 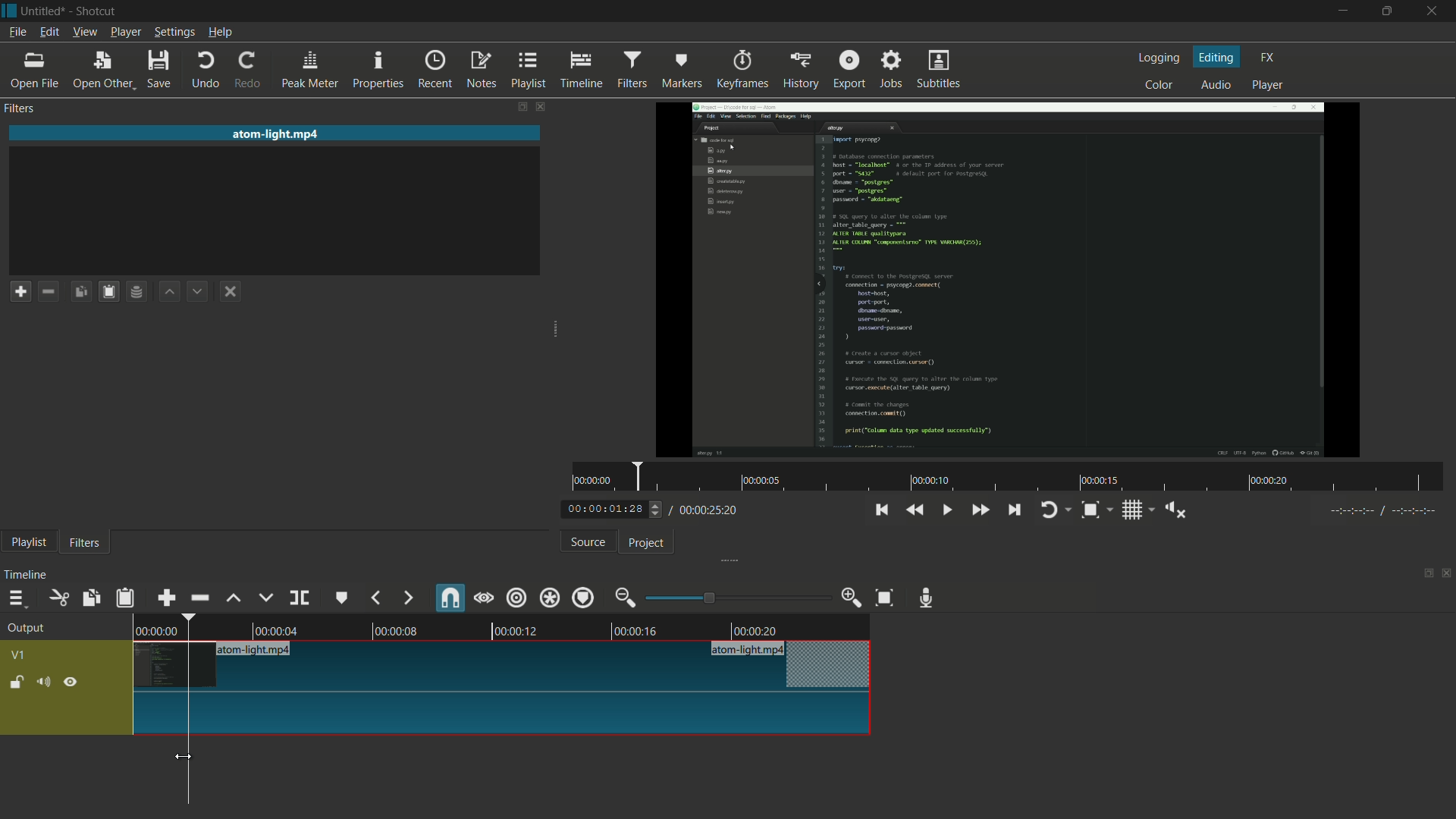 What do you see at coordinates (234, 598) in the screenshot?
I see `lift` at bounding box center [234, 598].